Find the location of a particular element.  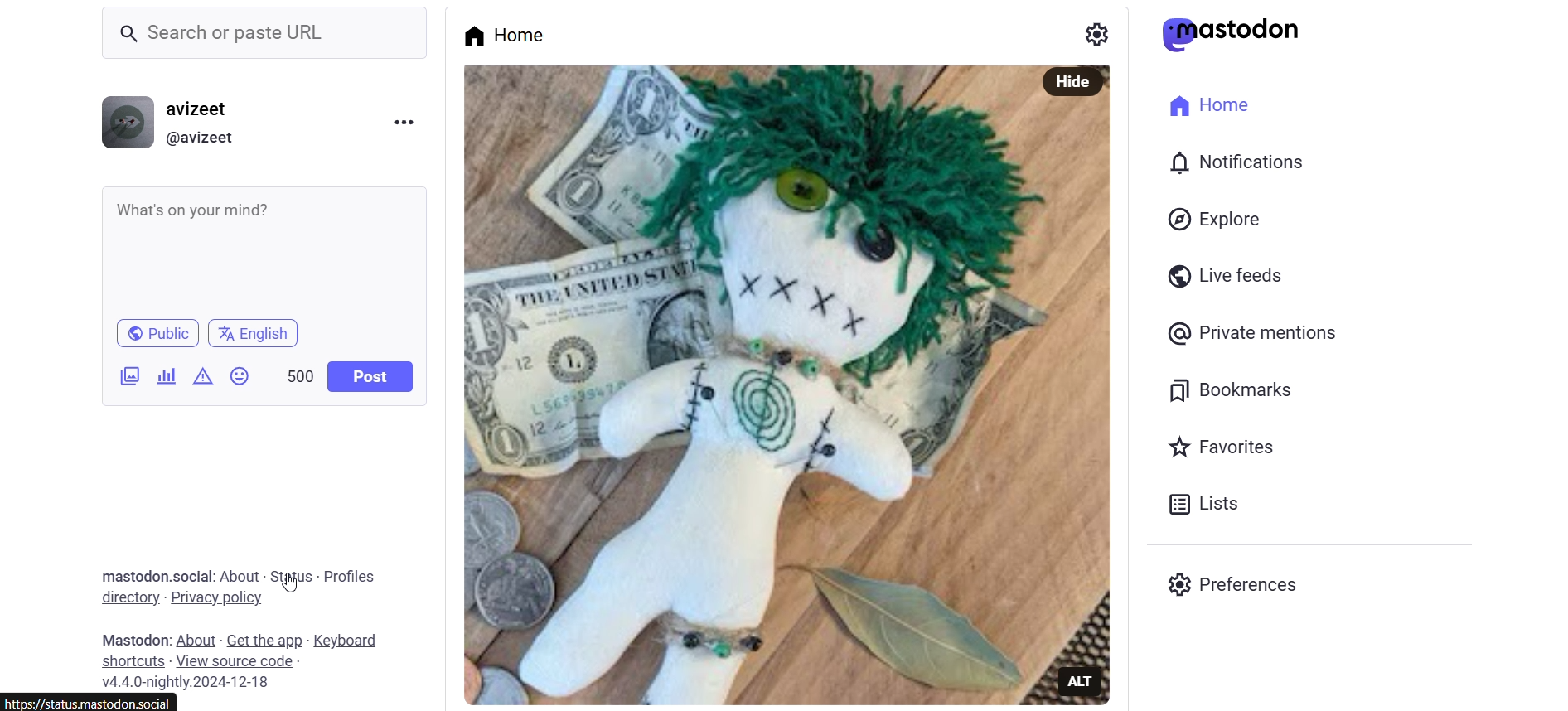

setting is located at coordinates (1095, 34).